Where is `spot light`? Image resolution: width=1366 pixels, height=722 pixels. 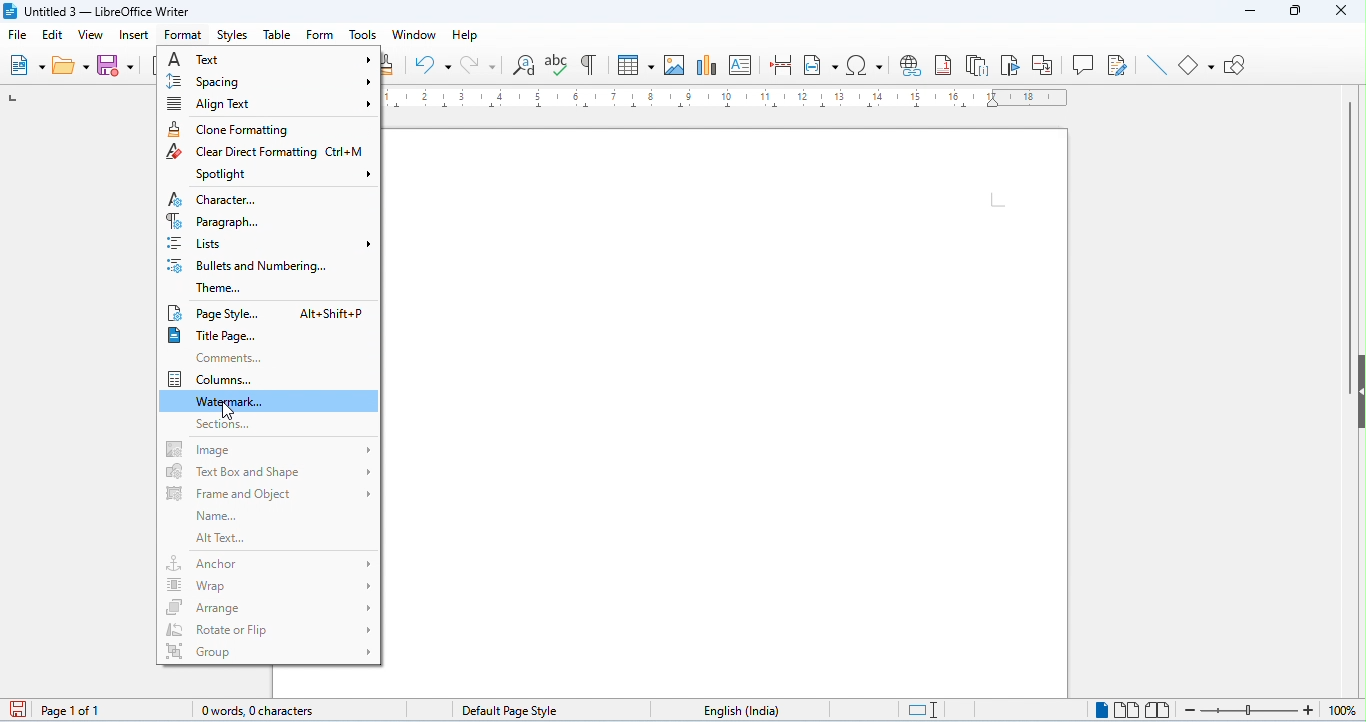
spot light is located at coordinates (280, 174).